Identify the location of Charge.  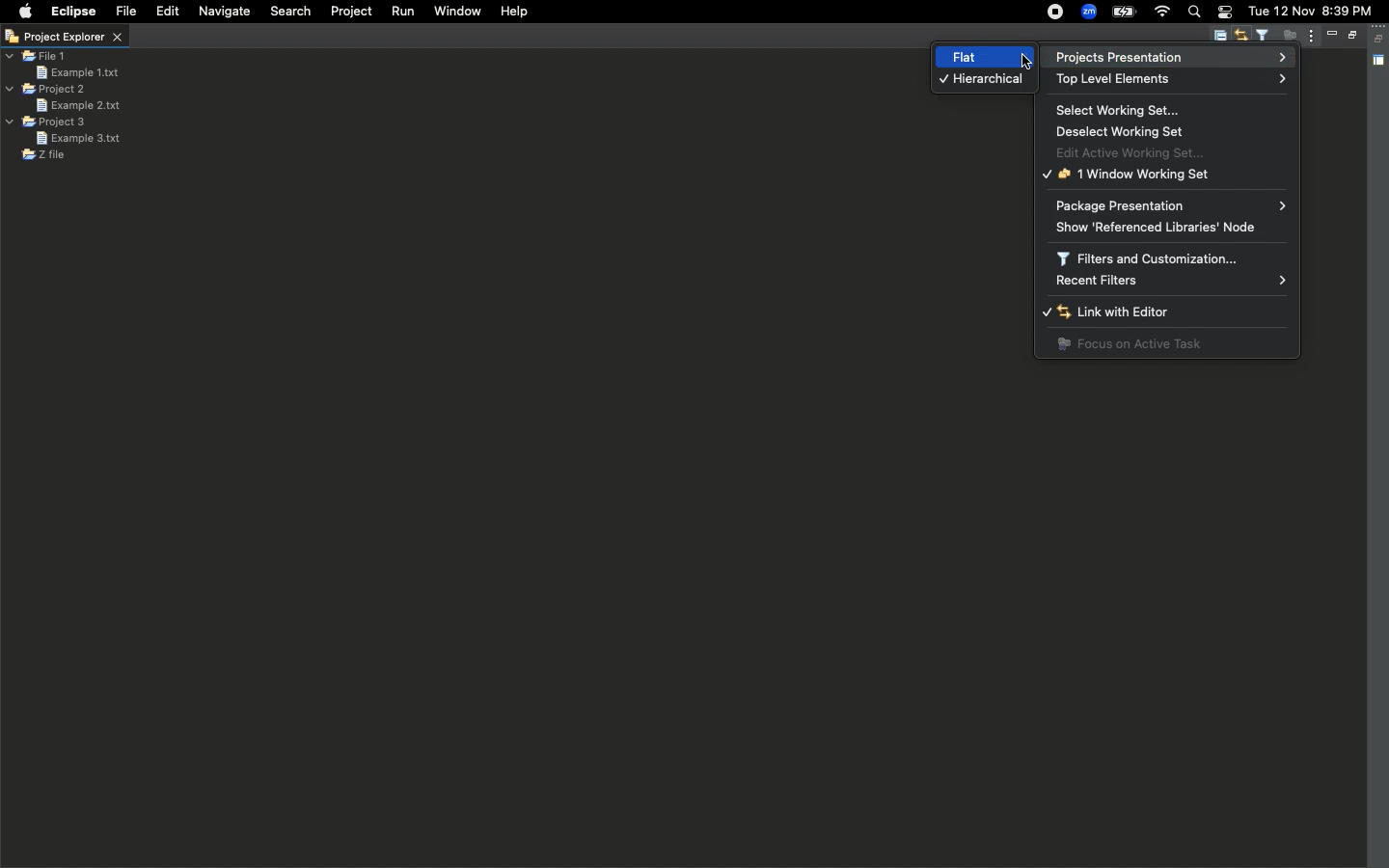
(1124, 14).